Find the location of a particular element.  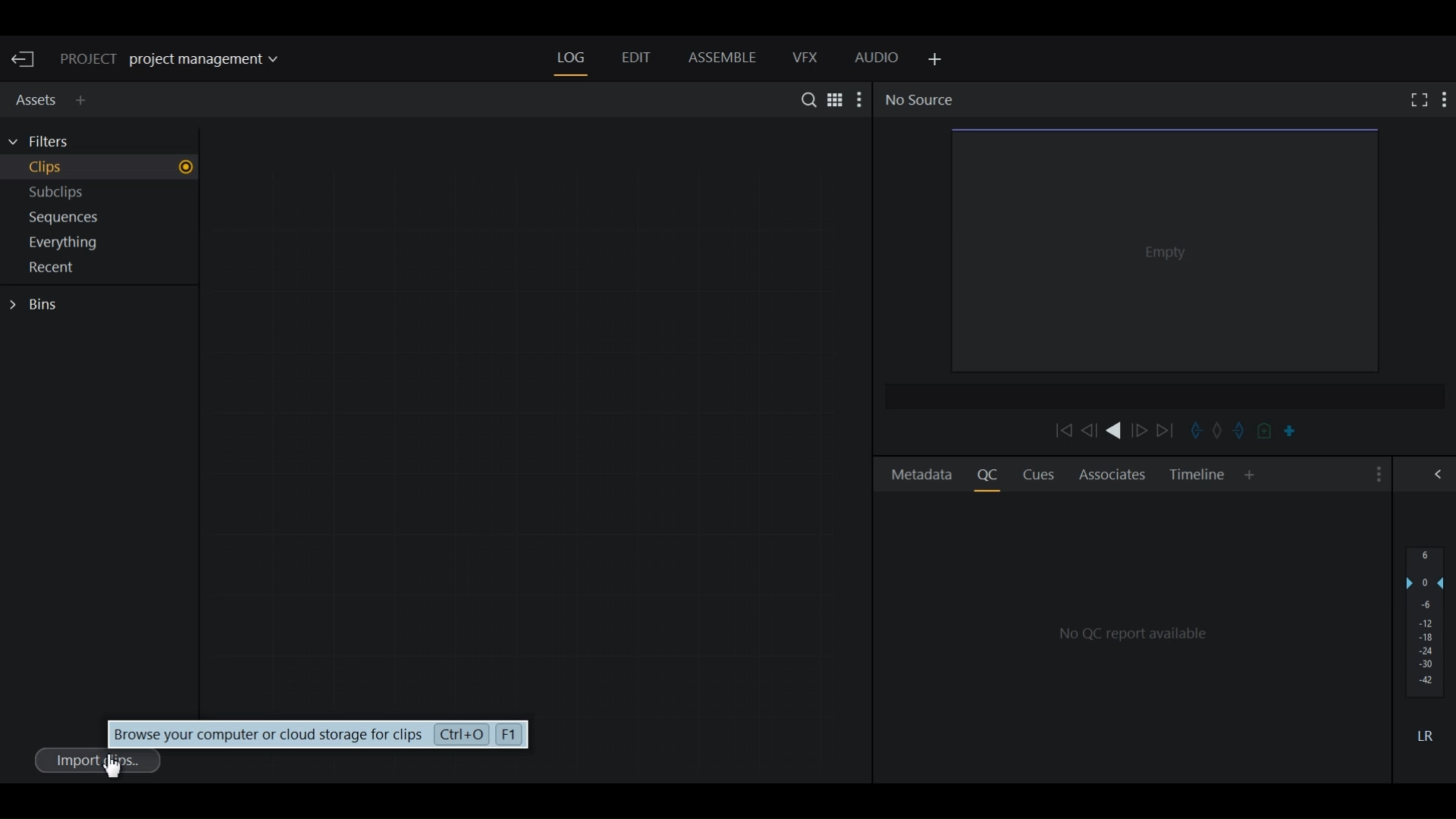

Show Clips in current project is located at coordinates (102, 169).